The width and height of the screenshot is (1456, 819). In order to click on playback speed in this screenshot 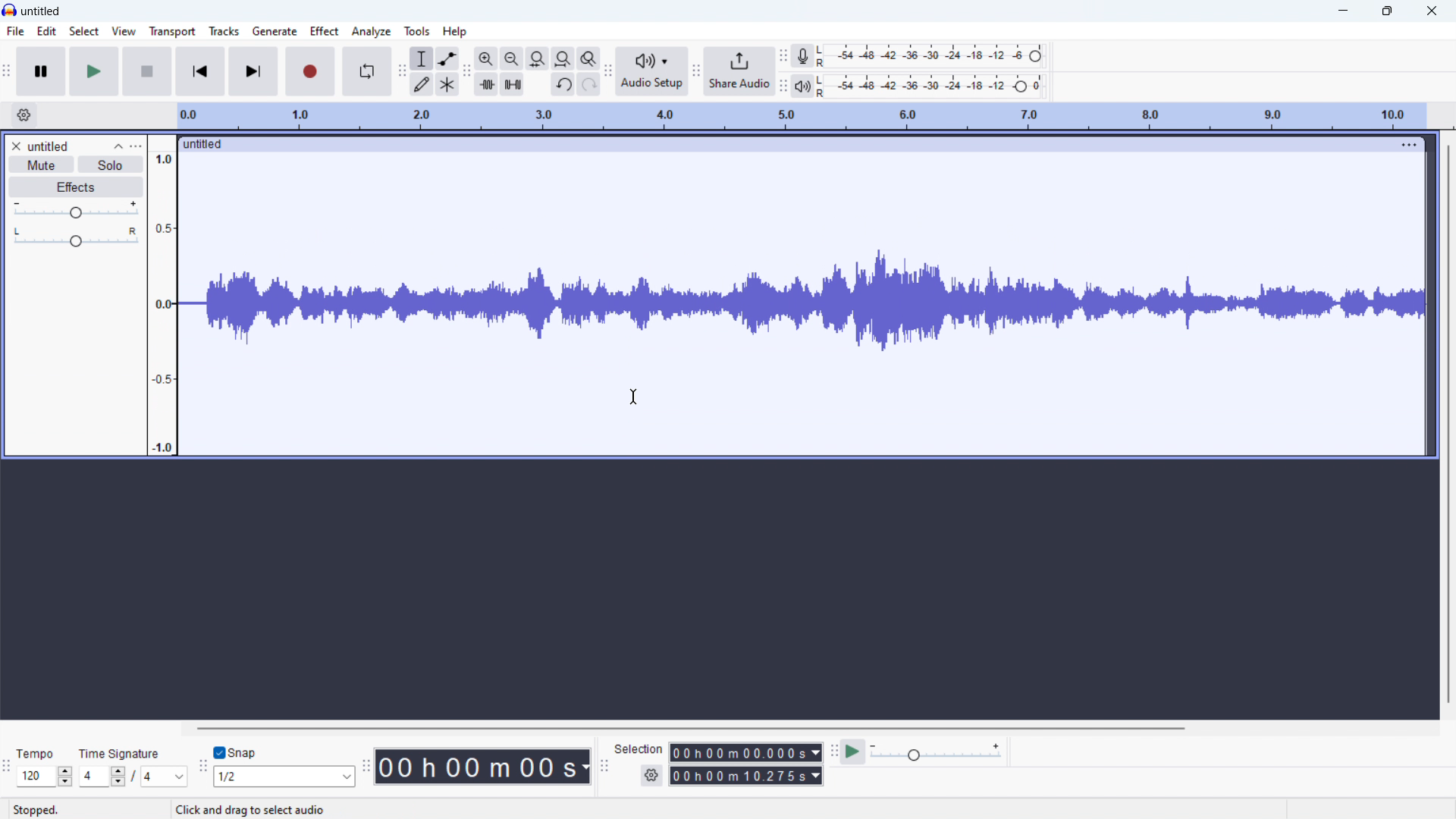, I will do `click(938, 752)`.